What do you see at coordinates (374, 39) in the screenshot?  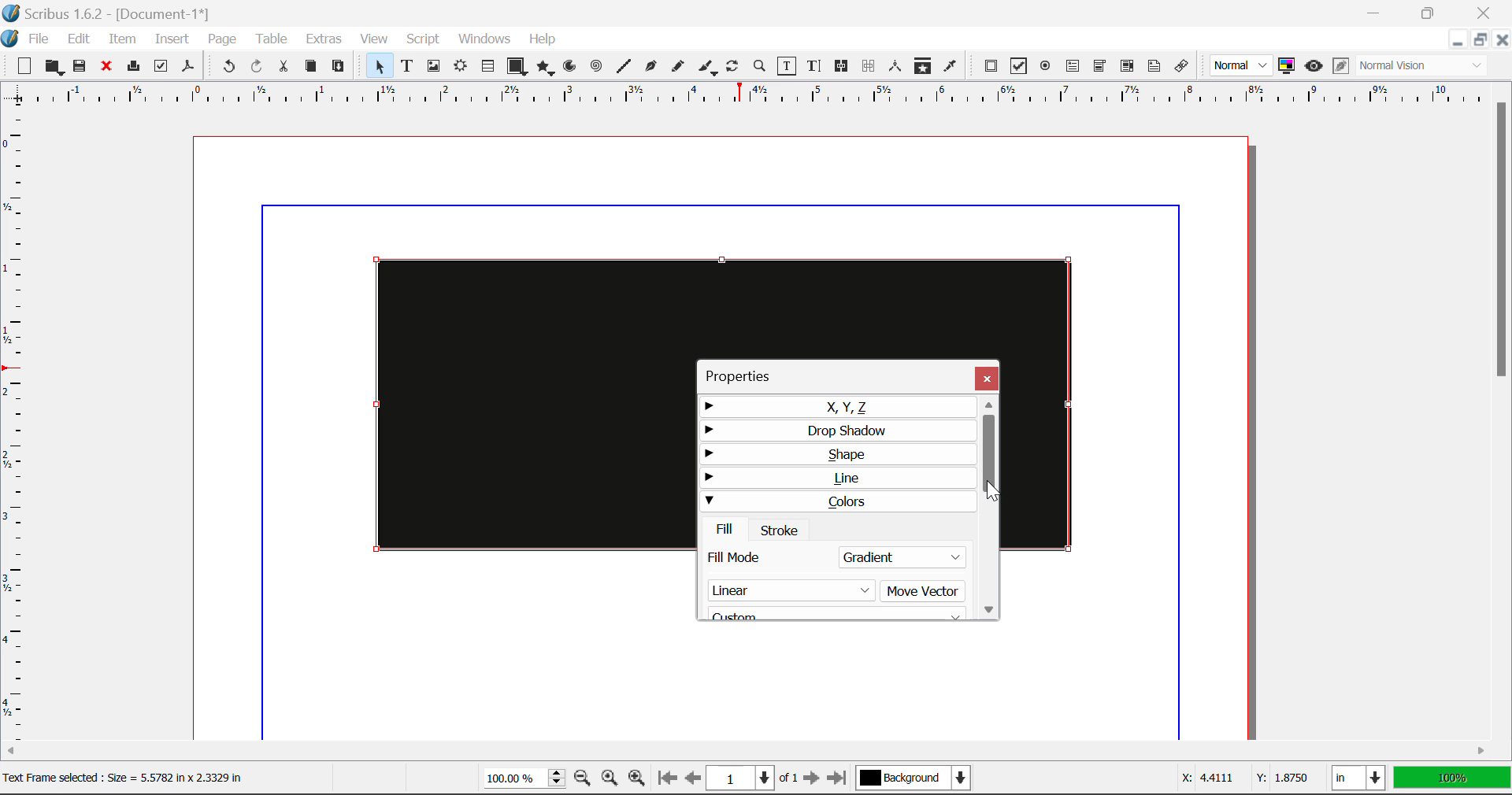 I see `View` at bounding box center [374, 39].